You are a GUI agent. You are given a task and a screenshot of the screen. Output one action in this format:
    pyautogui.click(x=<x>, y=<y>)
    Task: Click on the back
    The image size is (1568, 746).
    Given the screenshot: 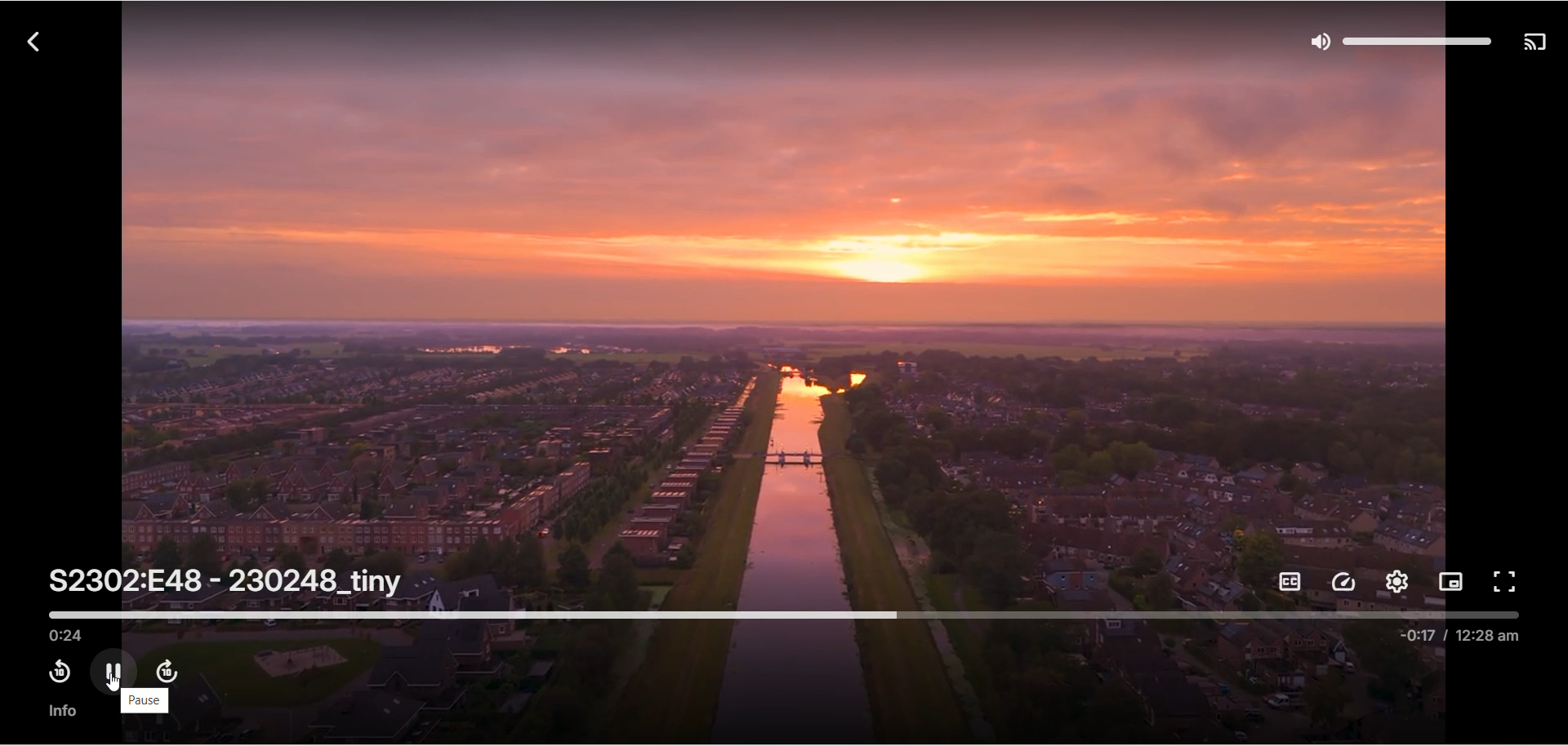 What is the action you would take?
    pyautogui.click(x=28, y=40)
    